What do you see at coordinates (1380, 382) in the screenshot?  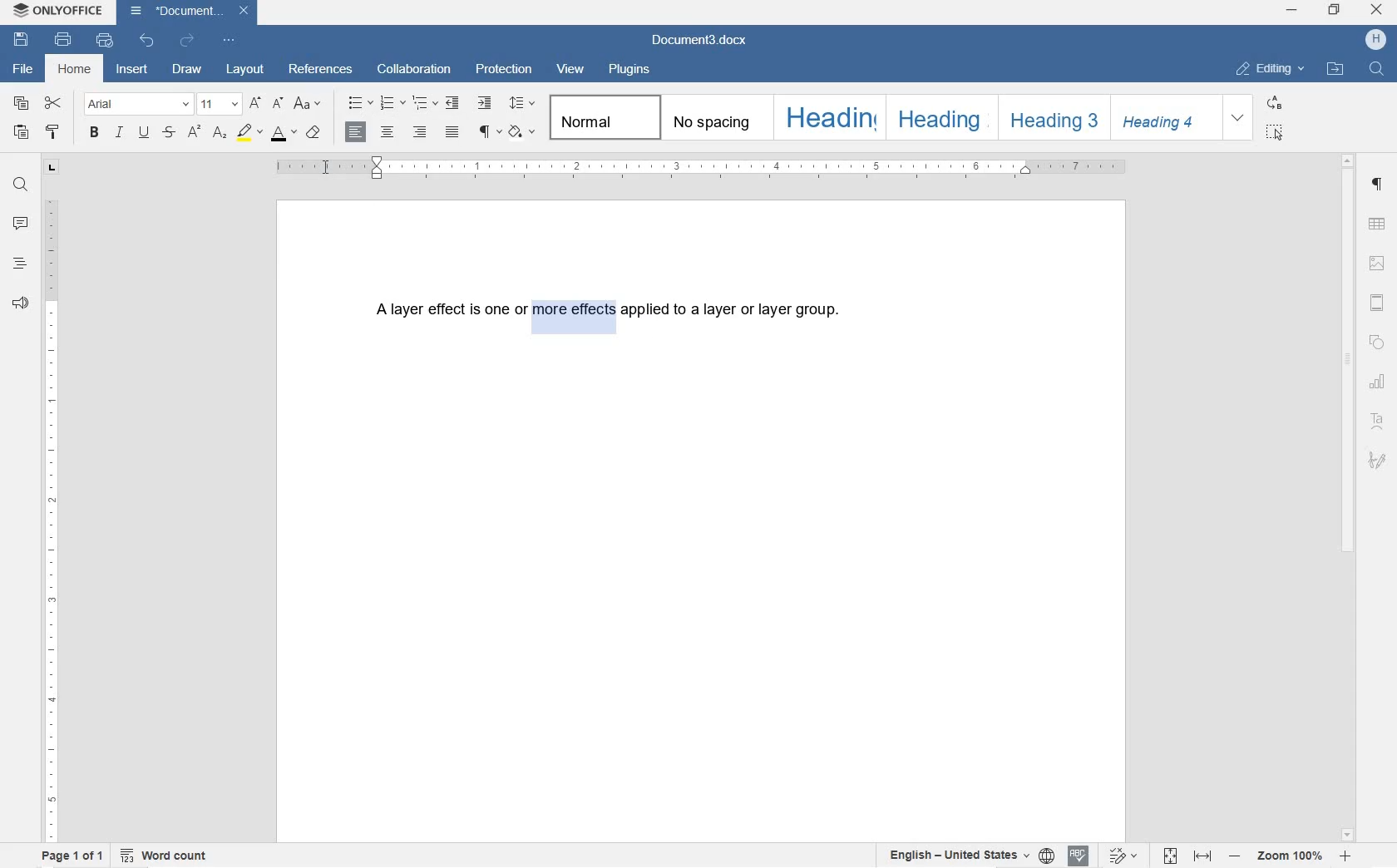 I see `CHART` at bounding box center [1380, 382].